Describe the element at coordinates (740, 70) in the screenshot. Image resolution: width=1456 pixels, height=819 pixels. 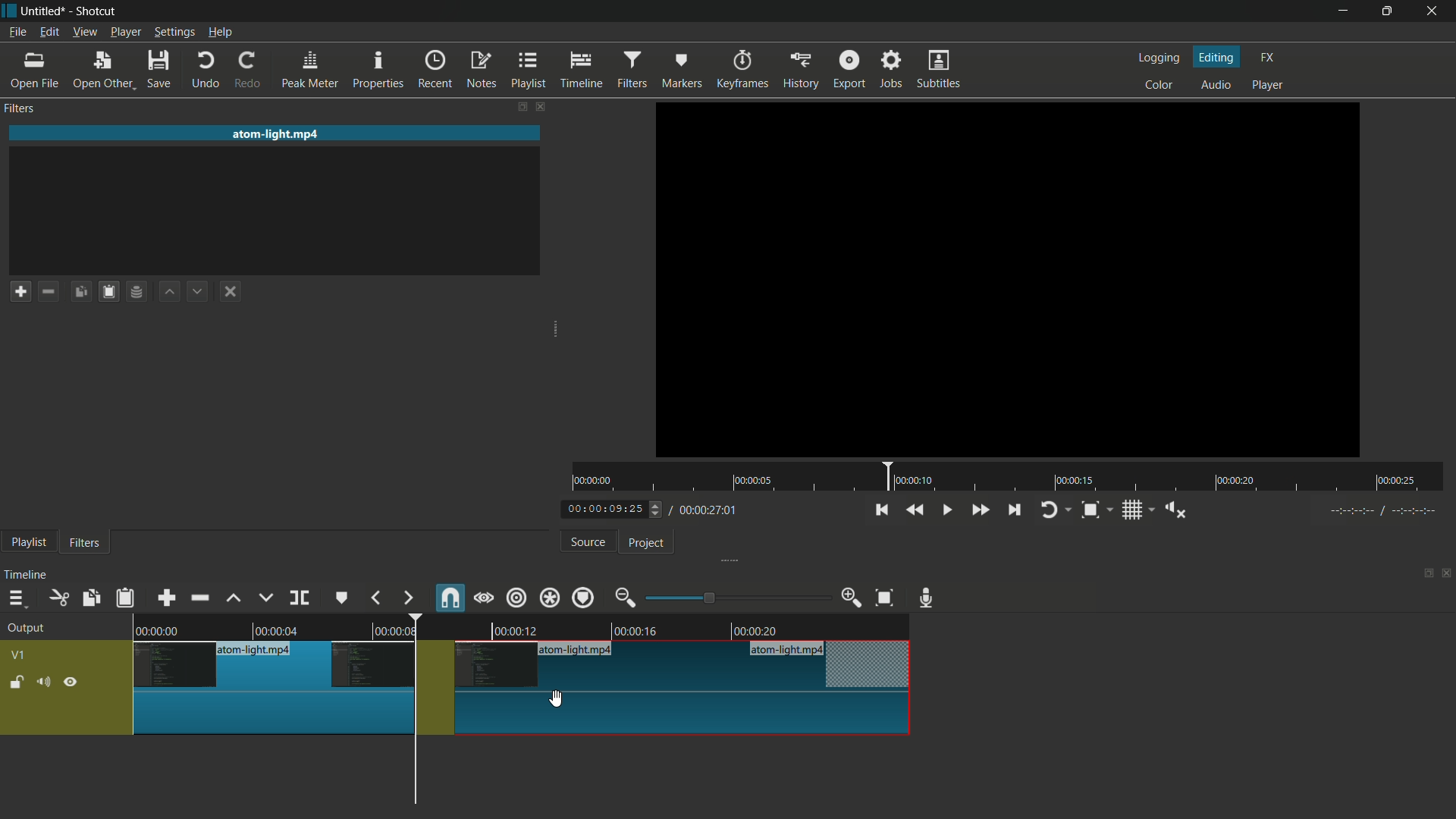
I see `keyframes` at that location.